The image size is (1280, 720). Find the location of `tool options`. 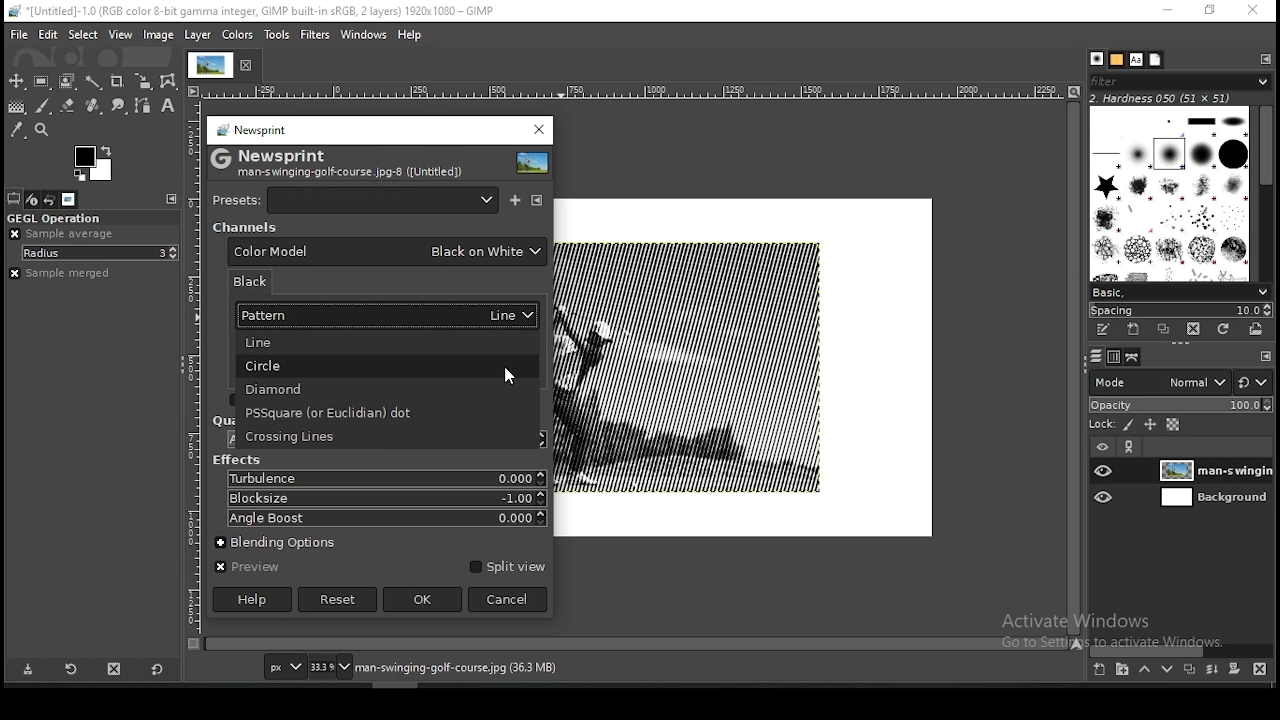

tool options is located at coordinates (14, 198).